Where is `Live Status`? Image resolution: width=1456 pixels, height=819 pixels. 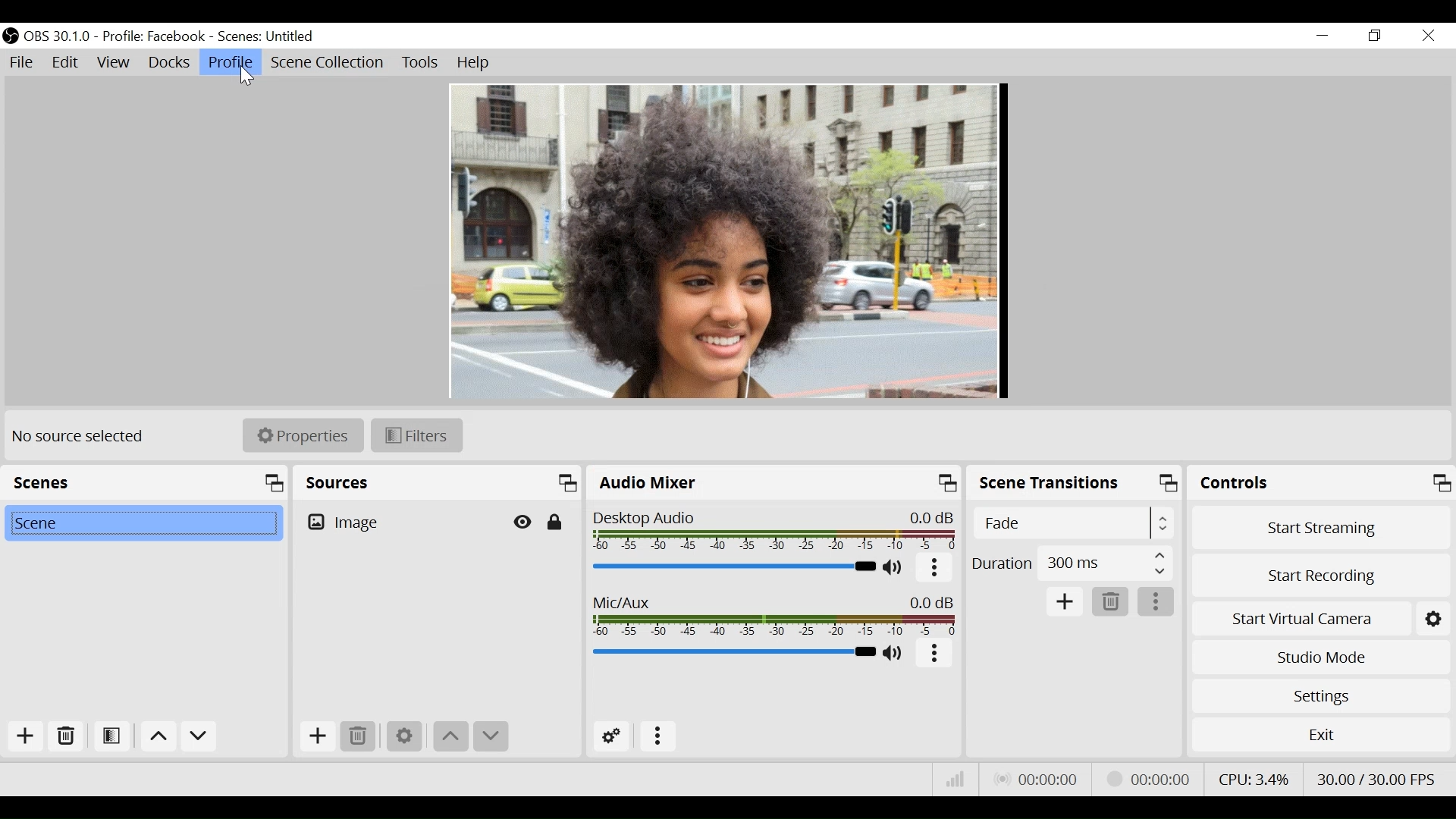
Live Status is located at coordinates (1040, 778).